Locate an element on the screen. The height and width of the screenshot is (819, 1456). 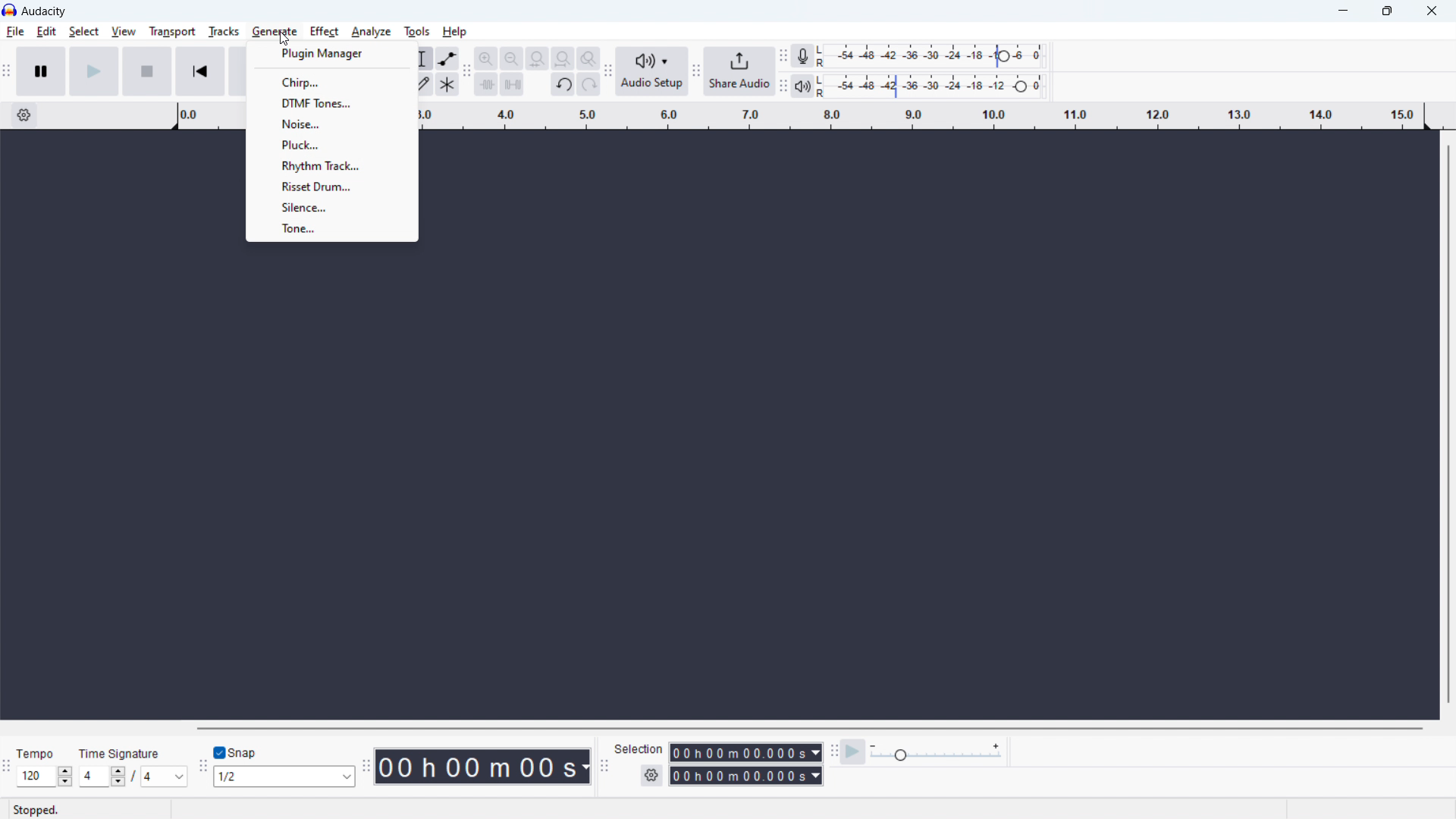
tools is located at coordinates (417, 31).